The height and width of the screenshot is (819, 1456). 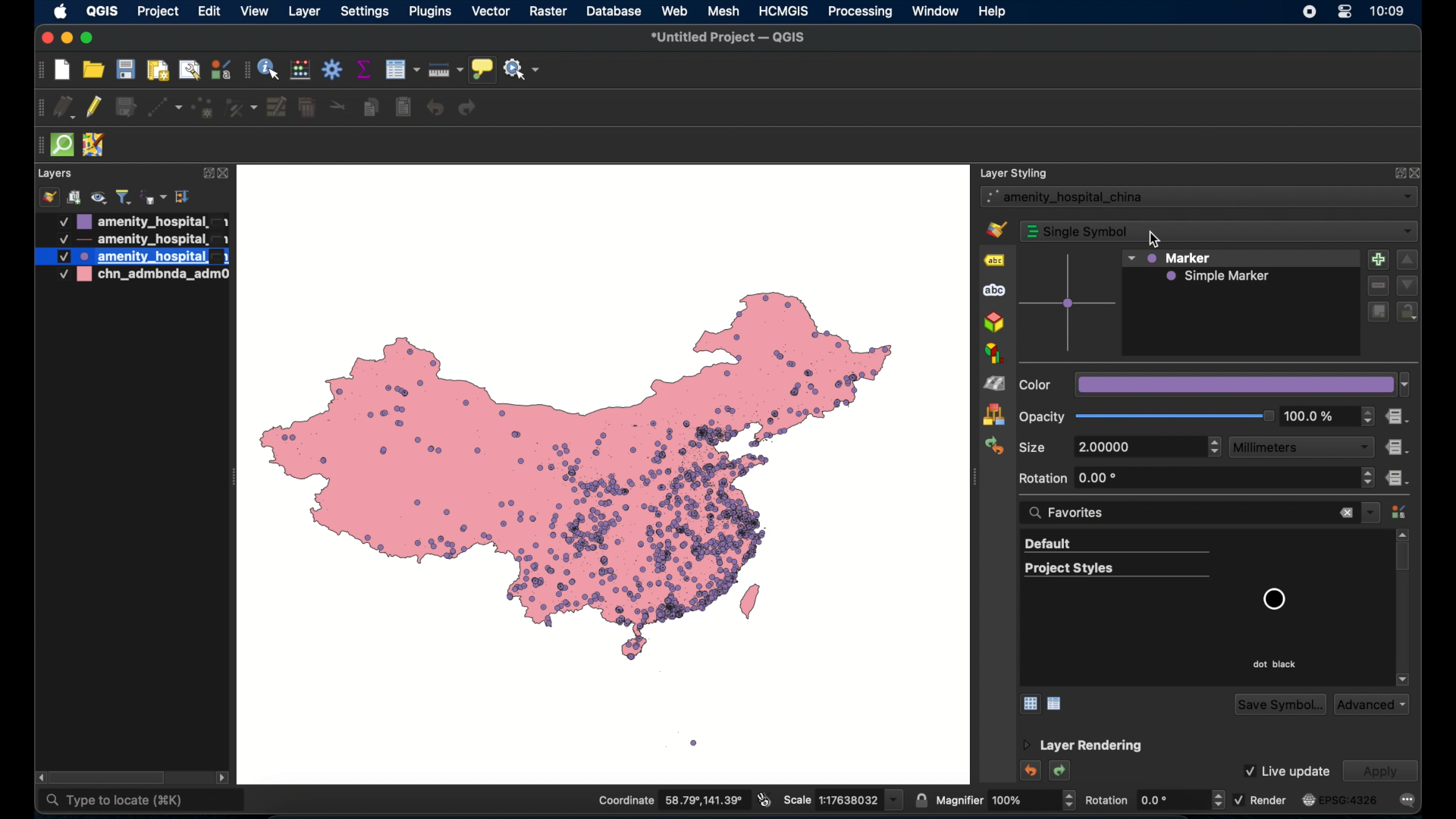 What do you see at coordinates (606, 473) in the screenshot?
I see `healthcare facilities in china` at bounding box center [606, 473].